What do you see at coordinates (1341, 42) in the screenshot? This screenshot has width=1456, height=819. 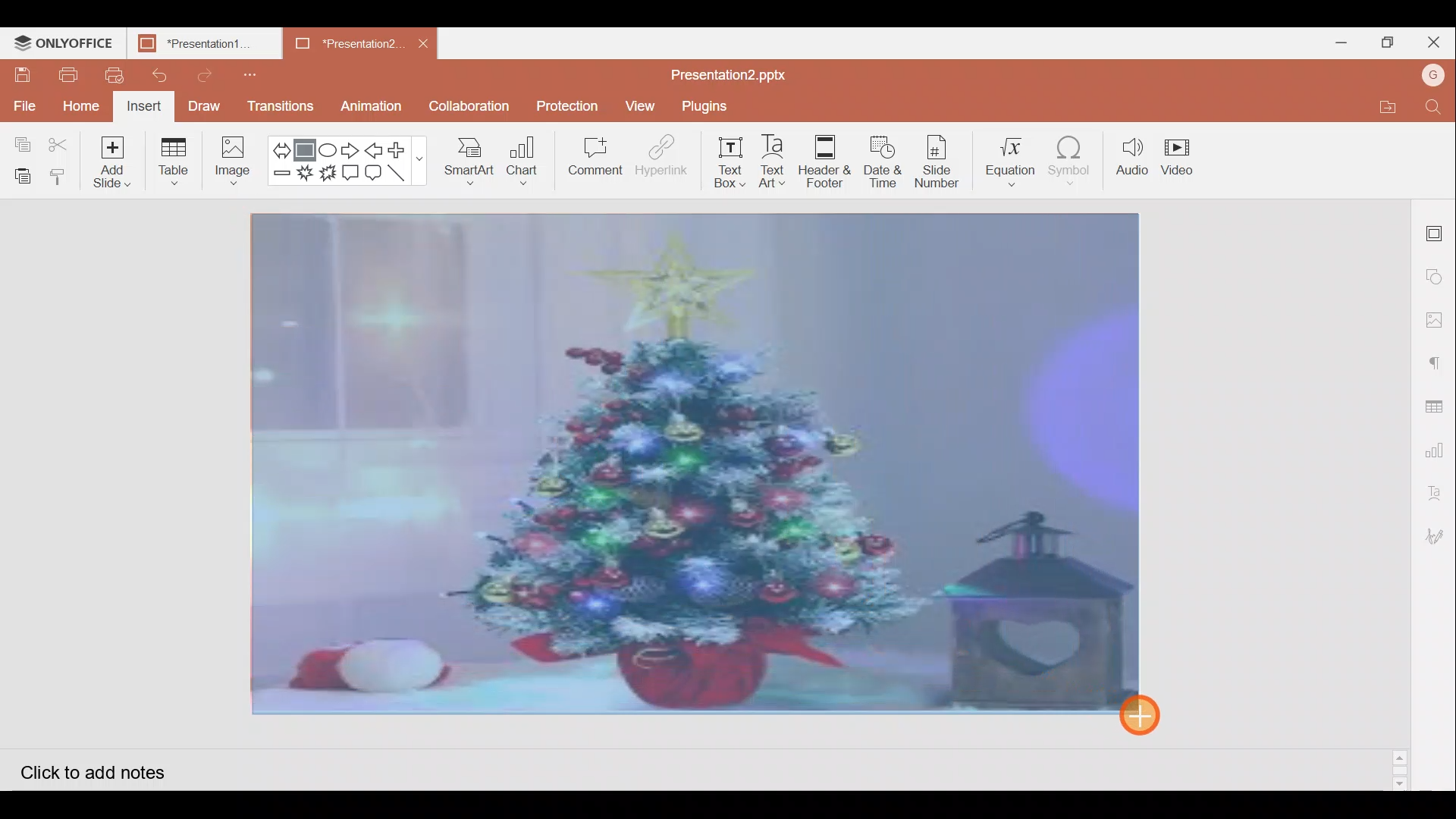 I see `Minimize` at bounding box center [1341, 42].